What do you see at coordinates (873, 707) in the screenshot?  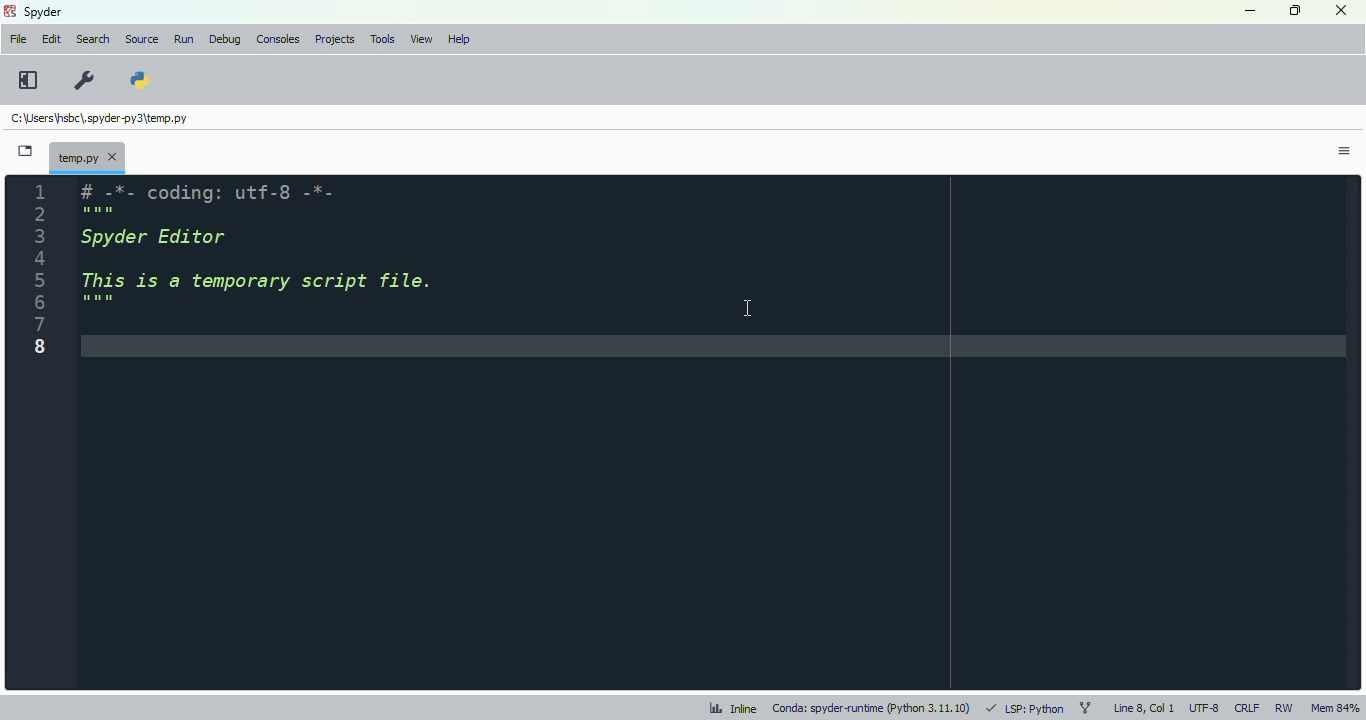 I see `conda: spyder-runtime (python 3. 11. 10)` at bounding box center [873, 707].